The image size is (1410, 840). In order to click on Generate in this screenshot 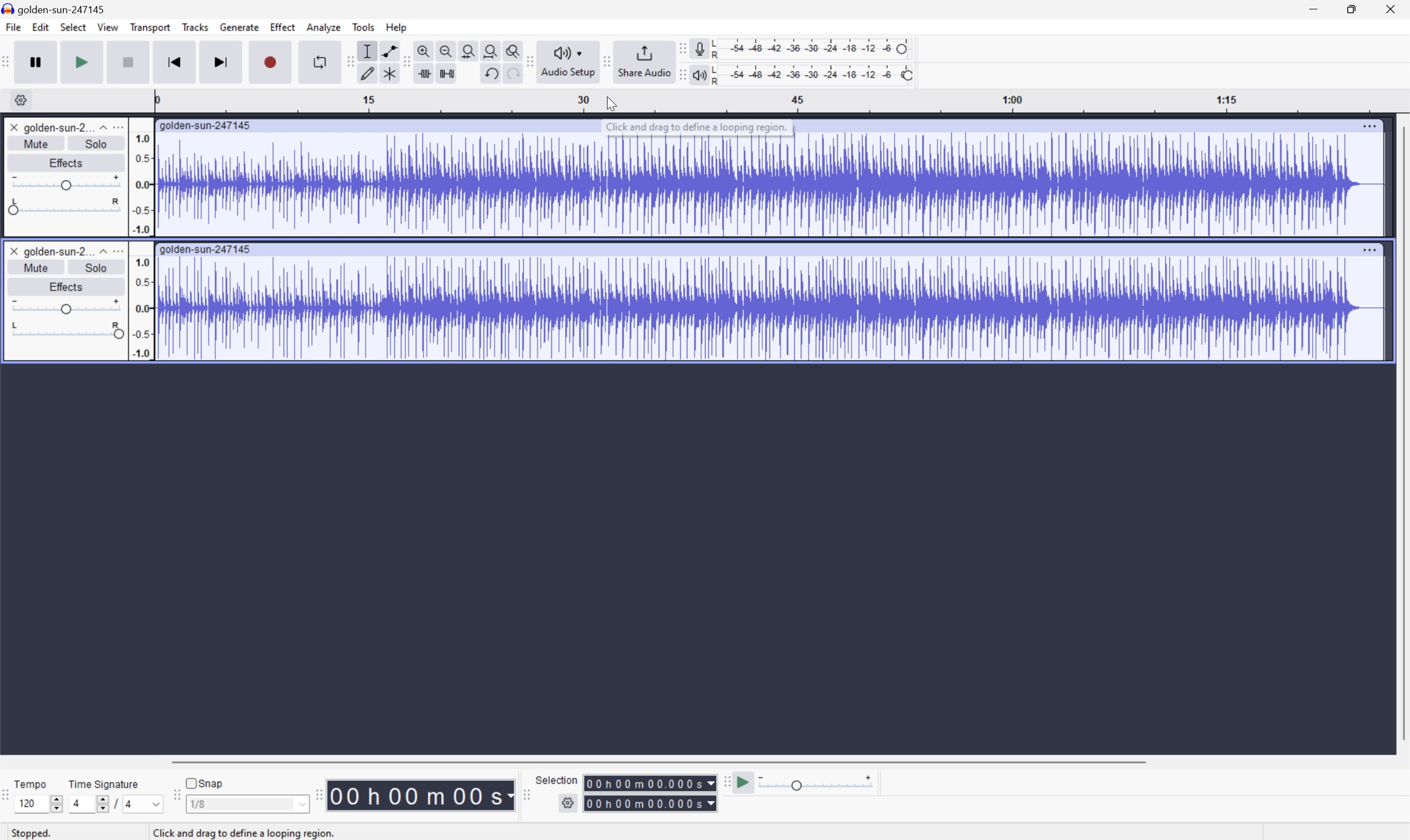, I will do `click(241, 28)`.